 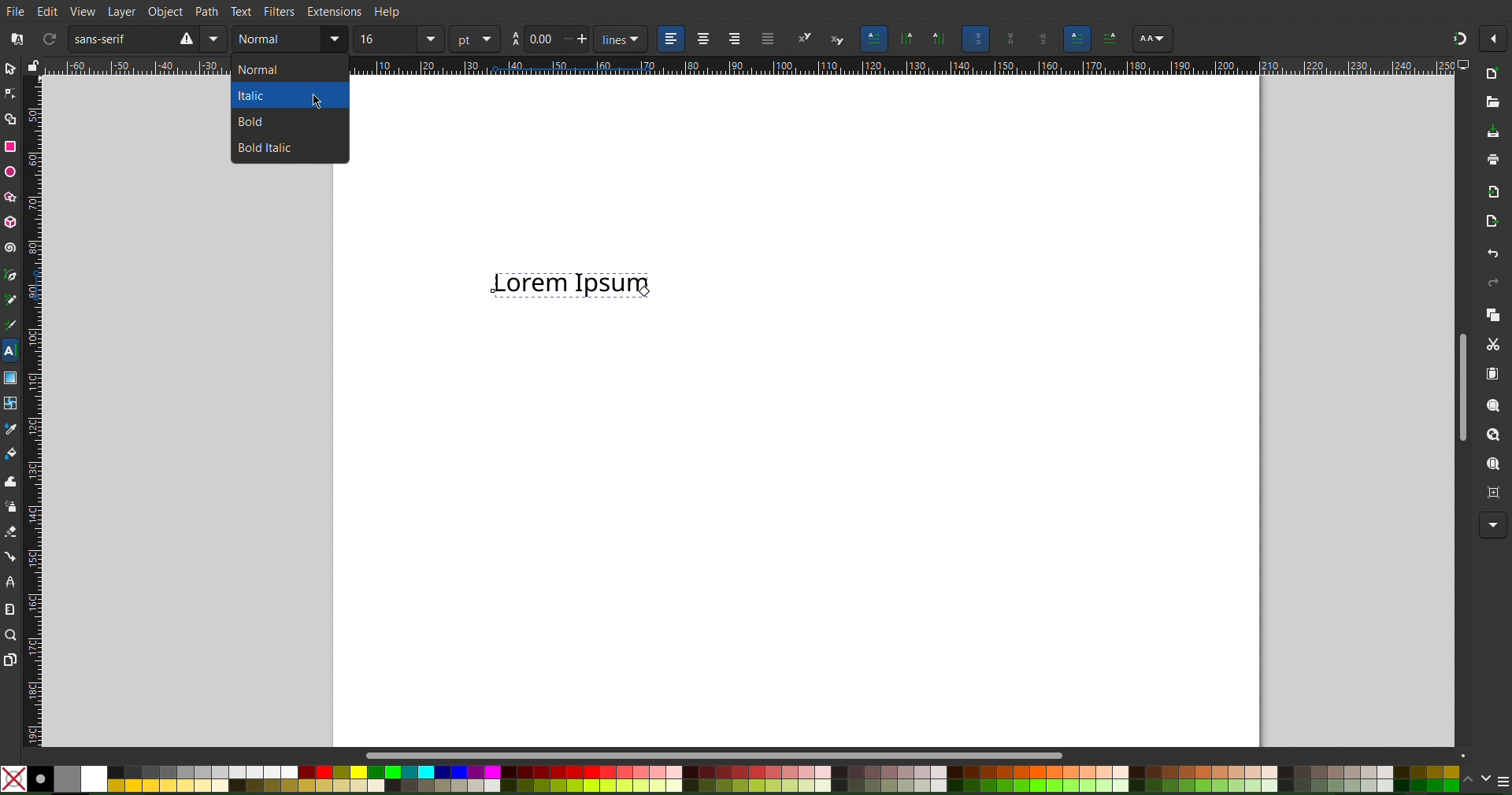 I want to click on Print, so click(x=1492, y=161).